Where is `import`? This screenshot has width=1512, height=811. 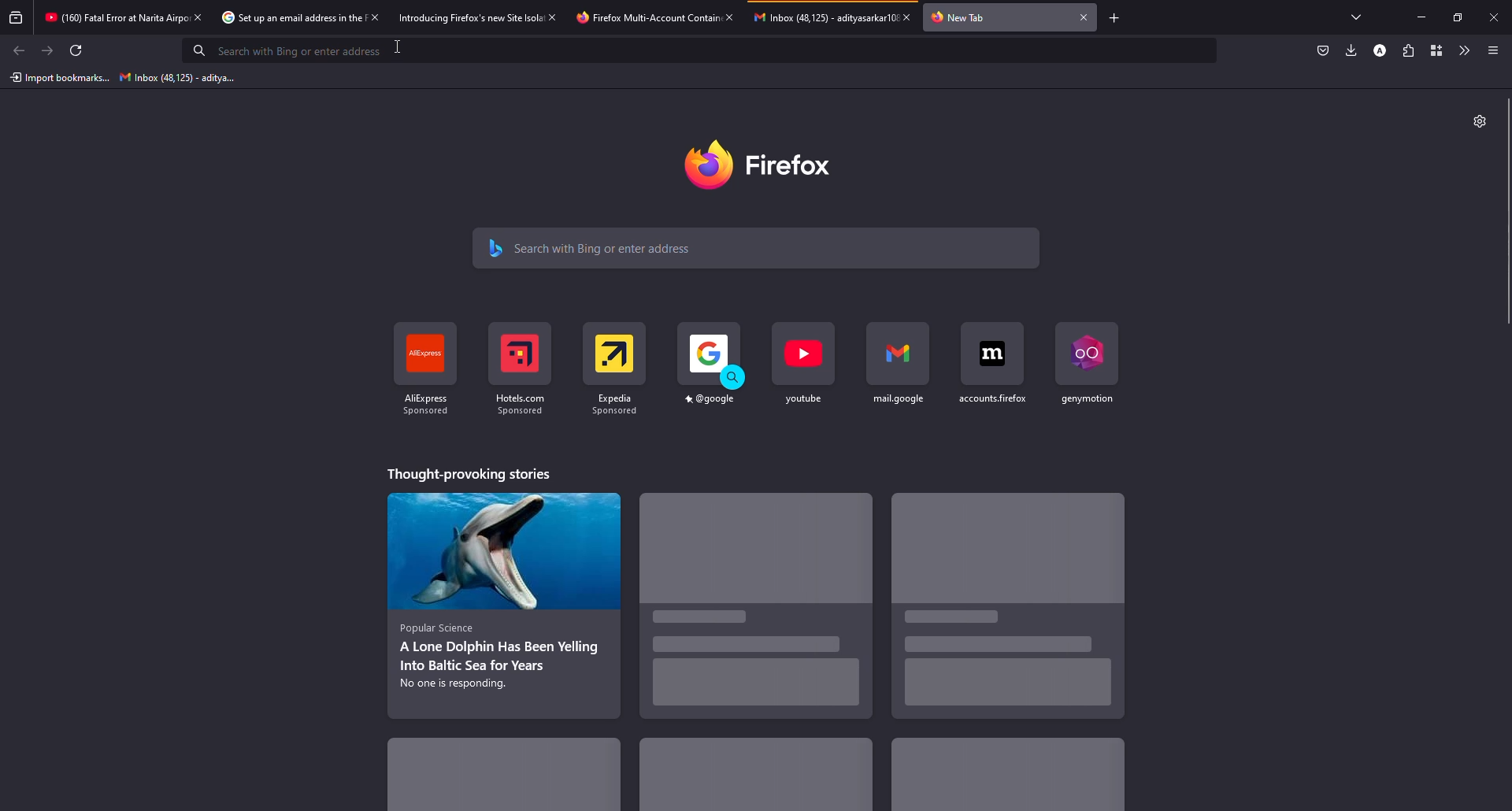 import is located at coordinates (58, 79).